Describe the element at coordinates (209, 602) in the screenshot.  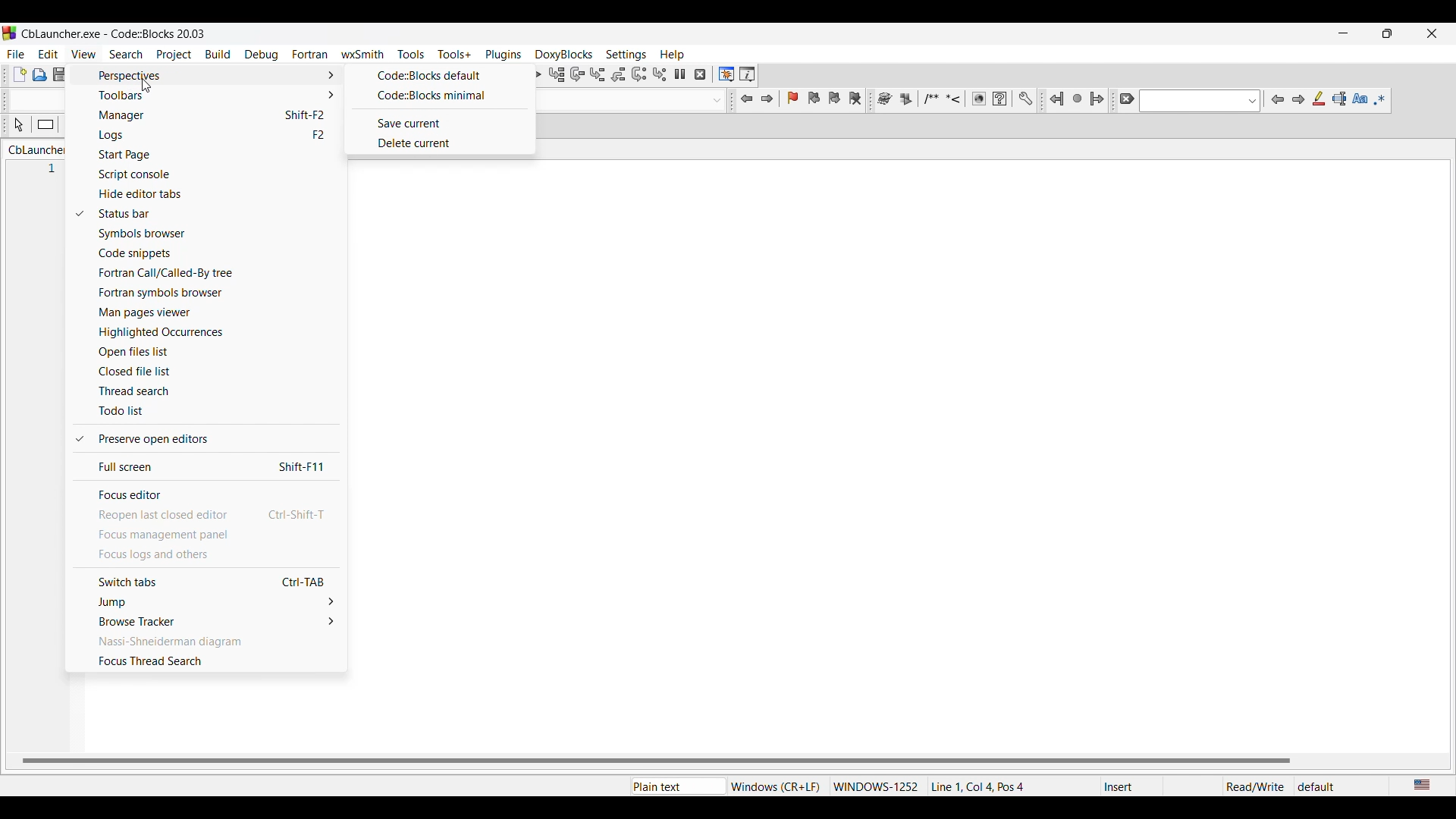
I see `Jump options` at that location.